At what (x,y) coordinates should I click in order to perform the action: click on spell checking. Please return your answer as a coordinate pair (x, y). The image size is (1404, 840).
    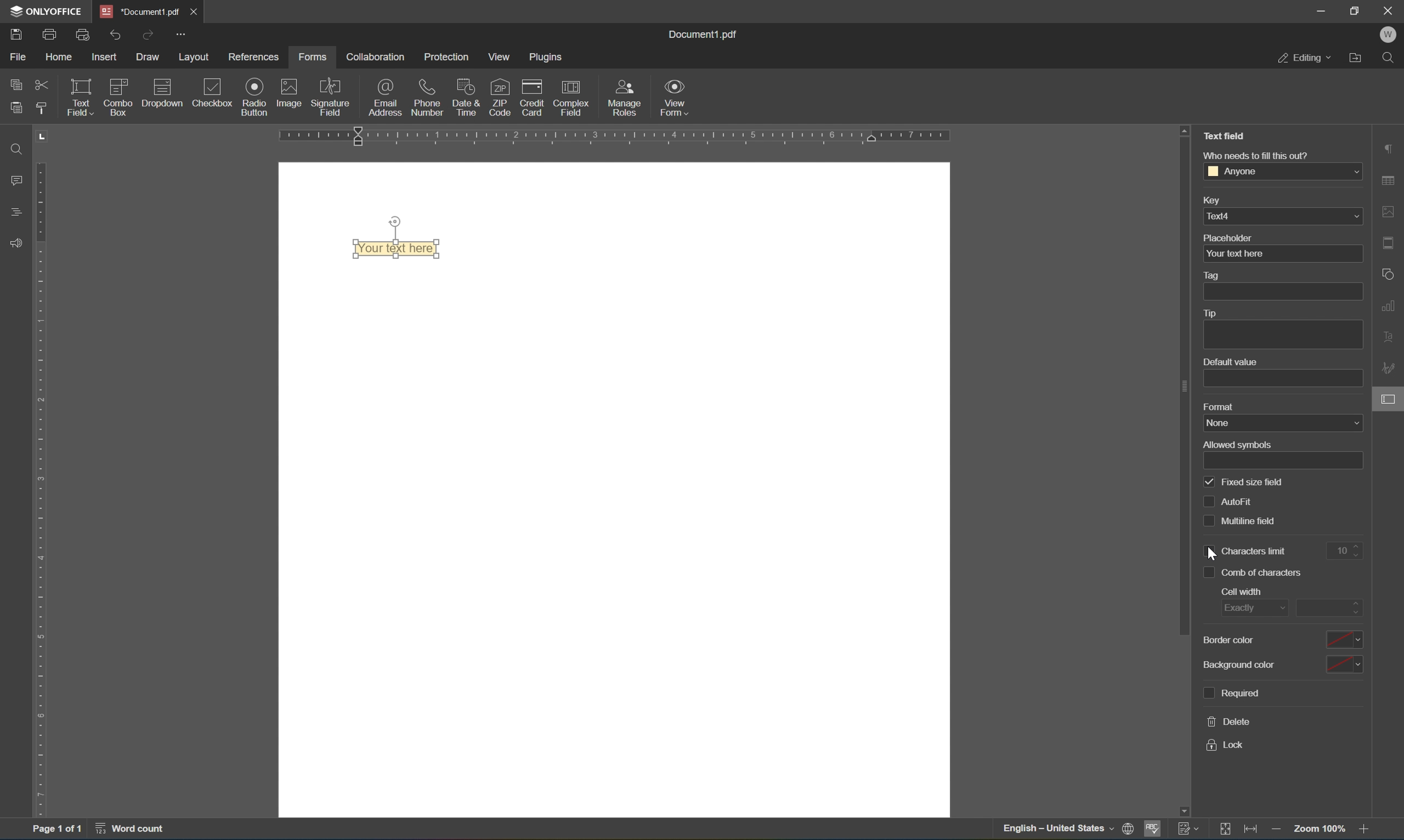
    Looking at the image, I should click on (1152, 830).